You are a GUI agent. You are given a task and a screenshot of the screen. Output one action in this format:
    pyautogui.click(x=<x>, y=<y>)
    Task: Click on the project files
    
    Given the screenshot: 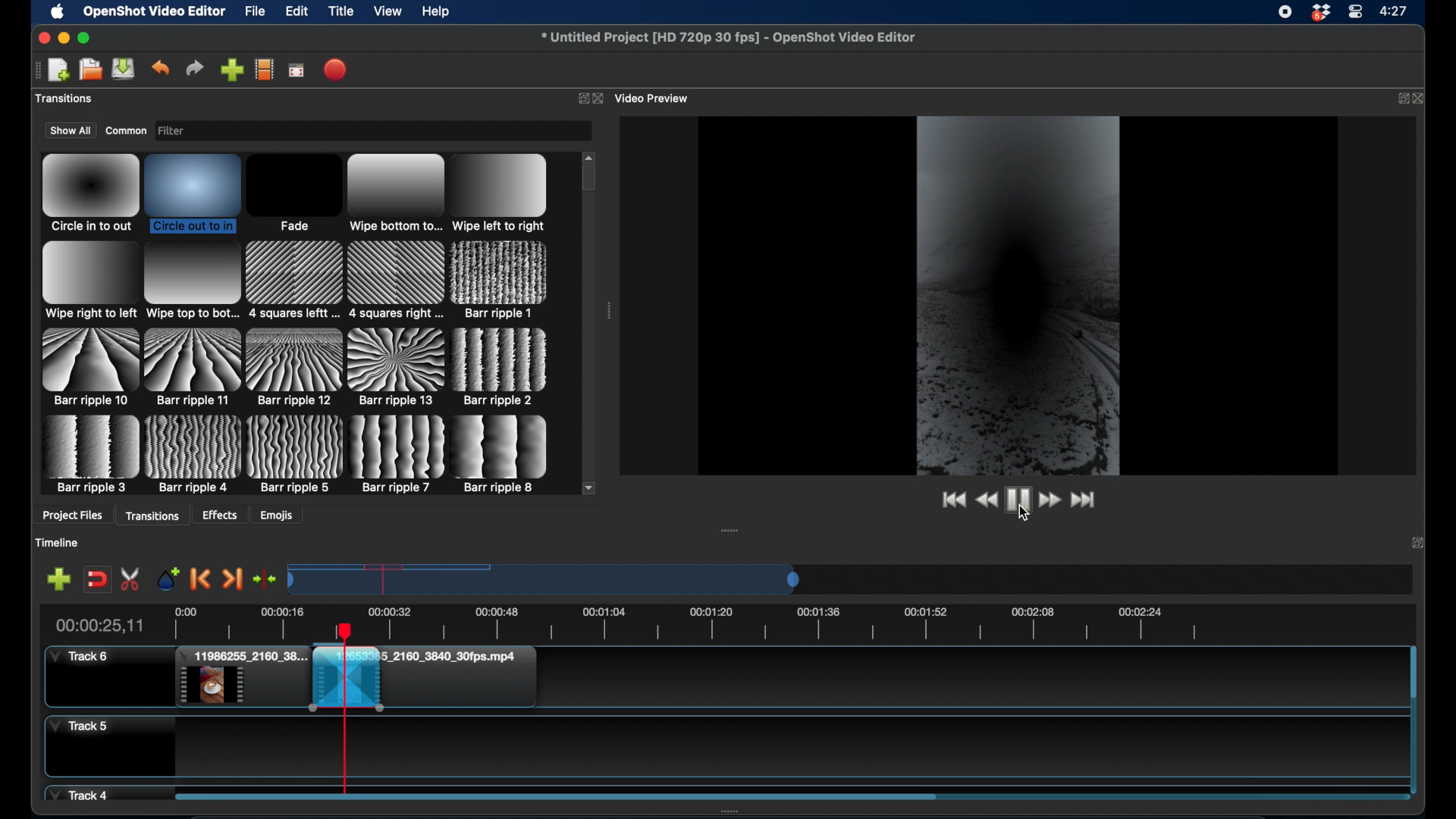 What is the action you would take?
    pyautogui.click(x=67, y=99)
    